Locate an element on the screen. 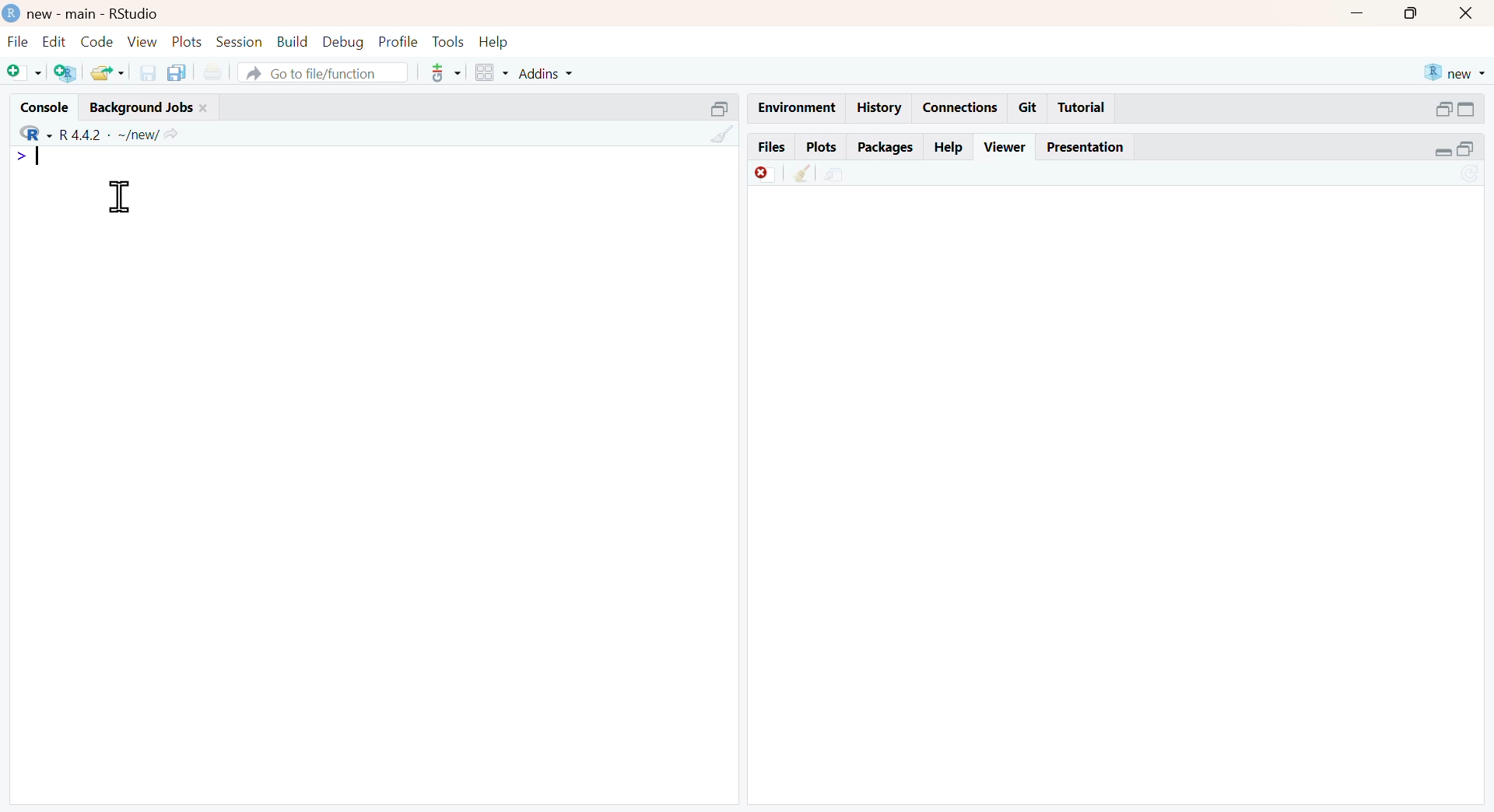 The height and width of the screenshot is (812, 1494). close is located at coordinates (1468, 13).